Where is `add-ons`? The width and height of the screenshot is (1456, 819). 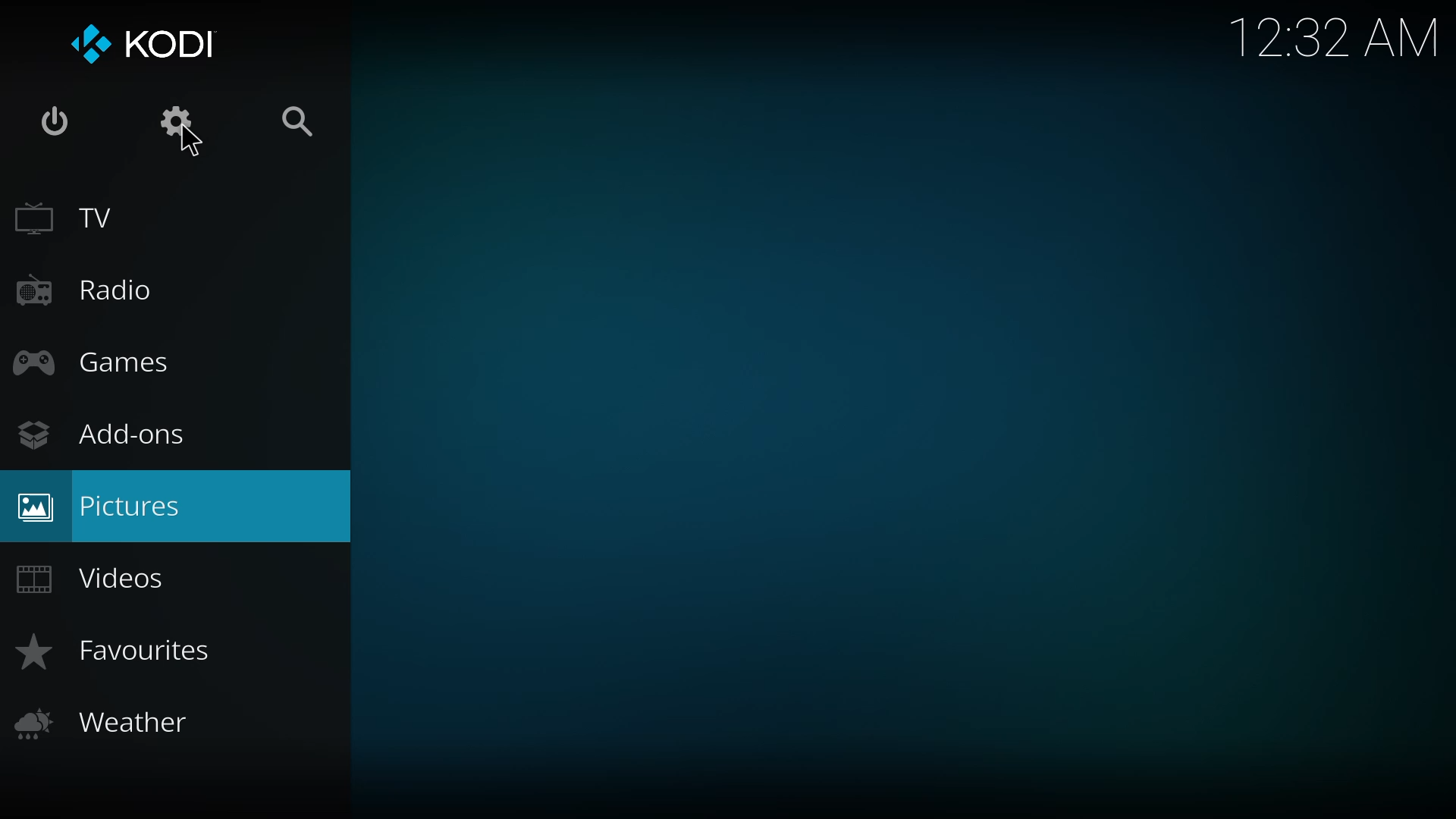 add-ons is located at coordinates (105, 438).